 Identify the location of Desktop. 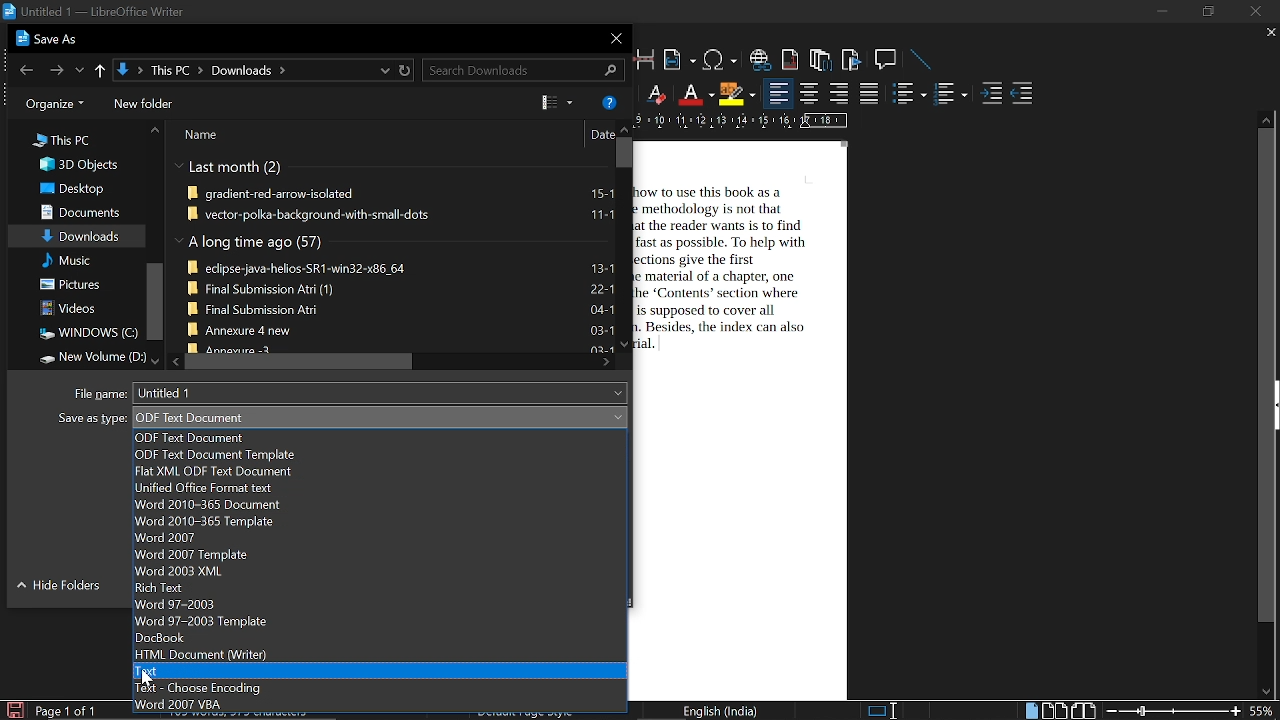
(73, 188).